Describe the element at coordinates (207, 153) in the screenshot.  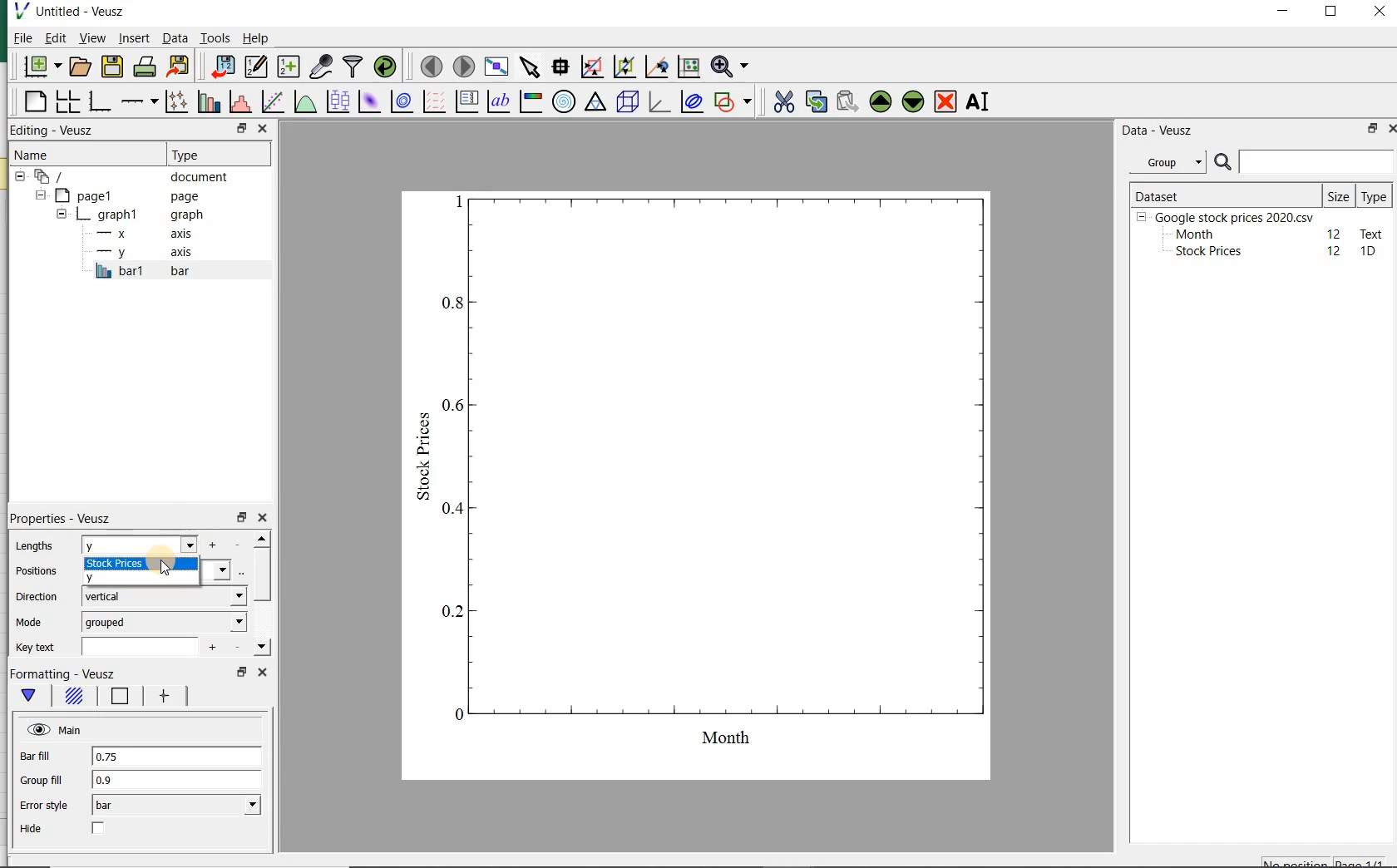
I see `Type` at that location.